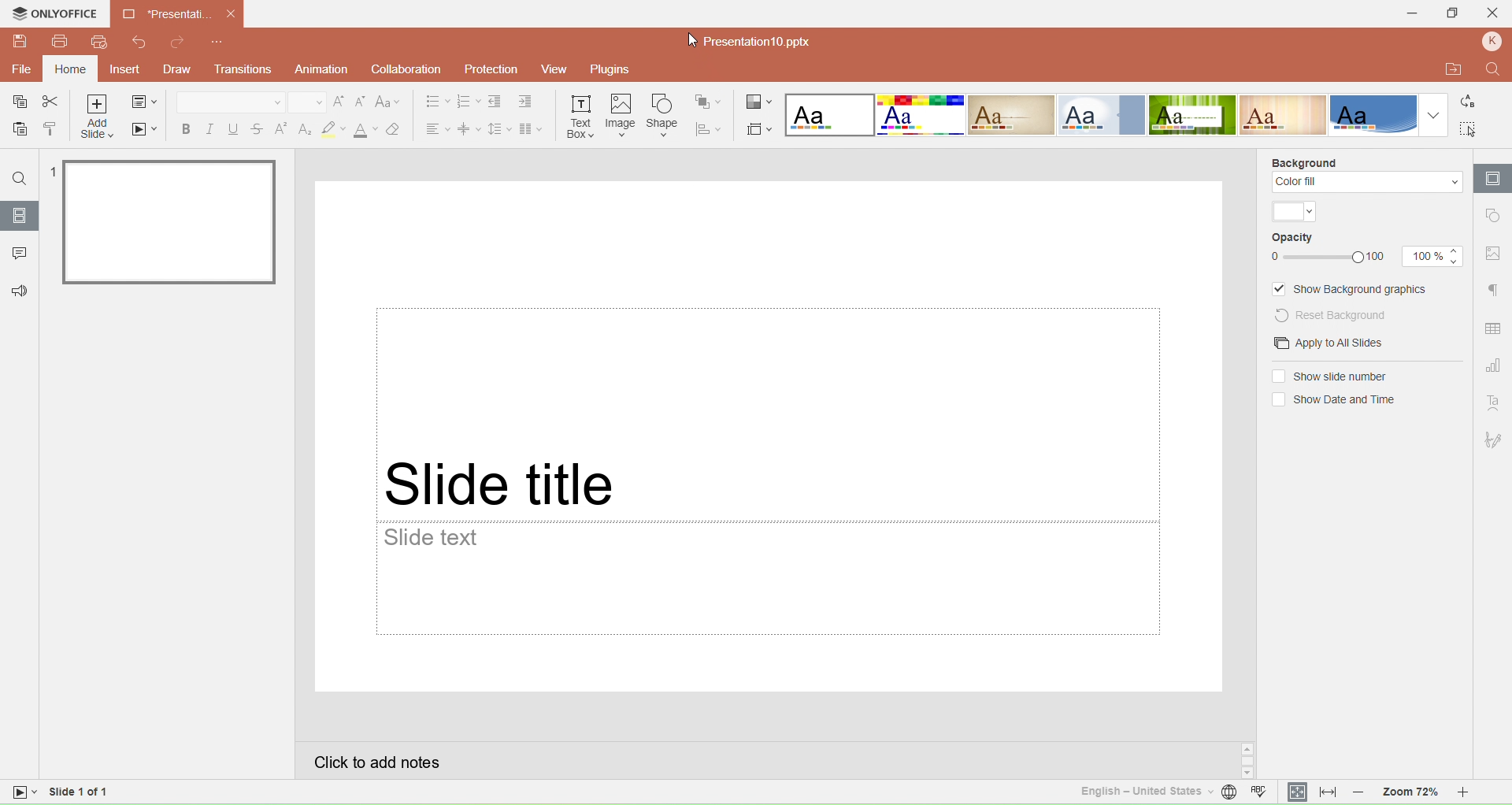 This screenshot has height=805, width=1512. I want to click on Fit to width, so click(1328, 792).